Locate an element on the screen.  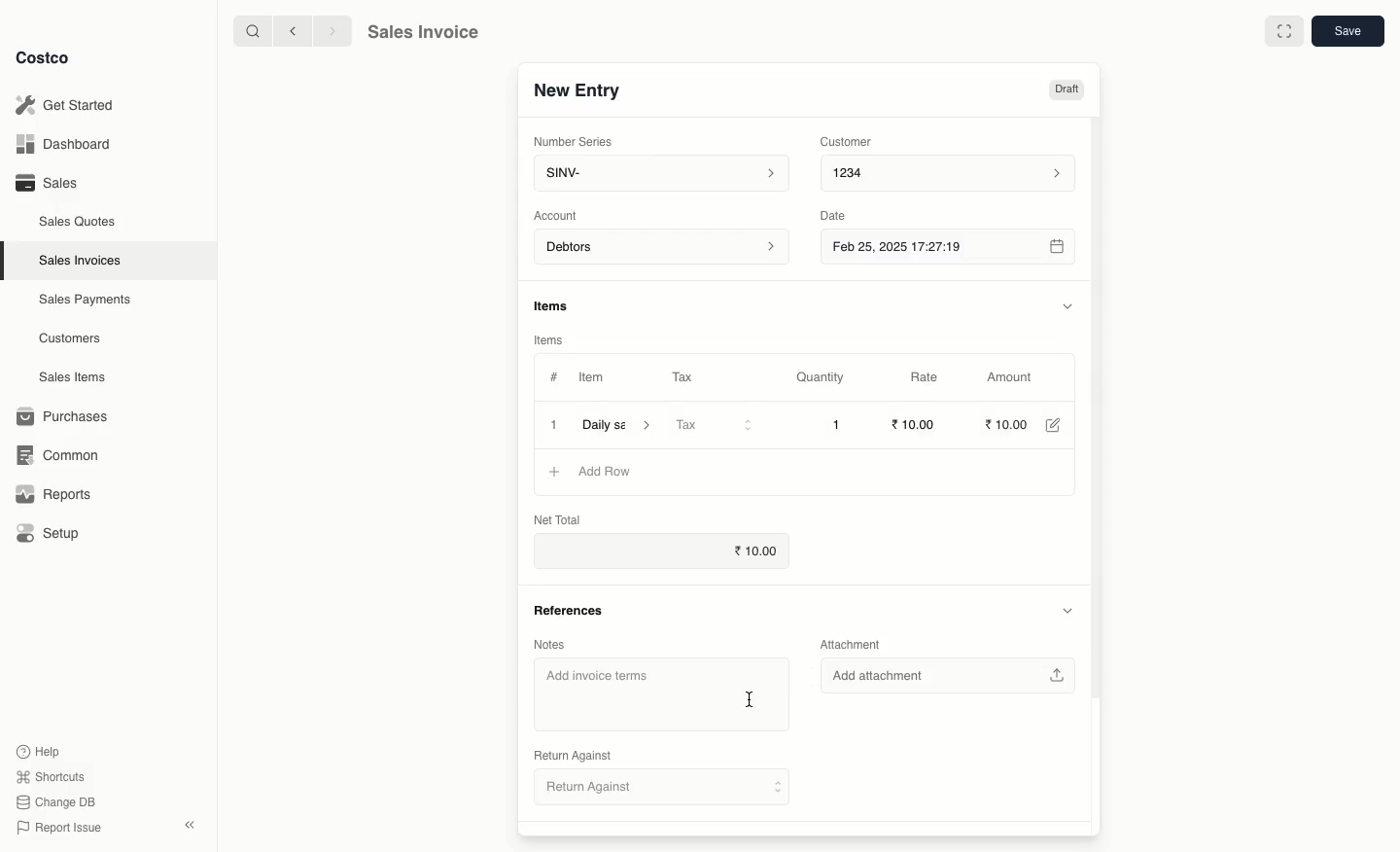
Forward is located at coordinates (332, 32).